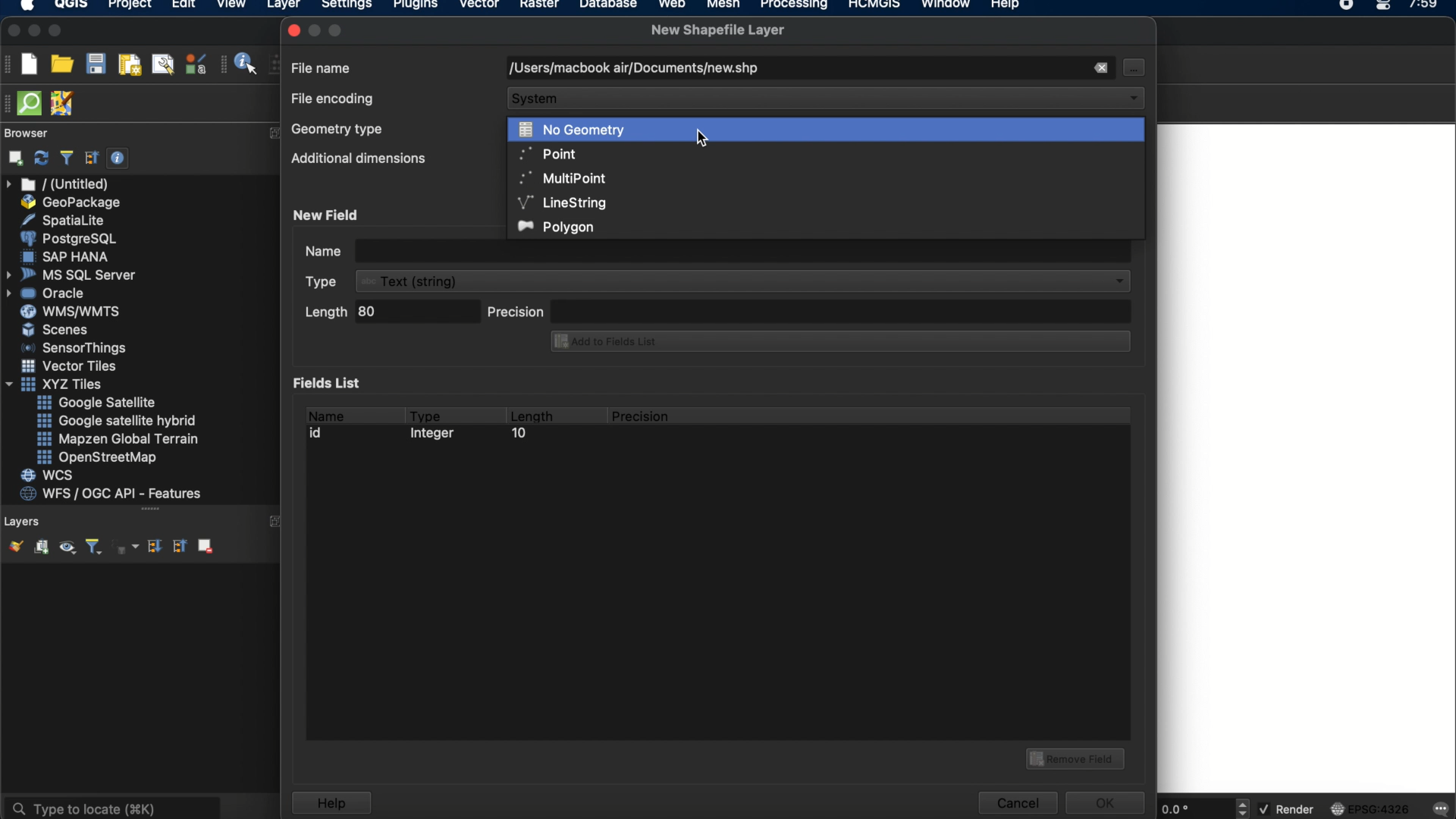 Image resolution: width=1456 pixels, height=819 pixels. Describe the element at coordinates (71, 366) in the screenshot. I see `vector files` at that location.